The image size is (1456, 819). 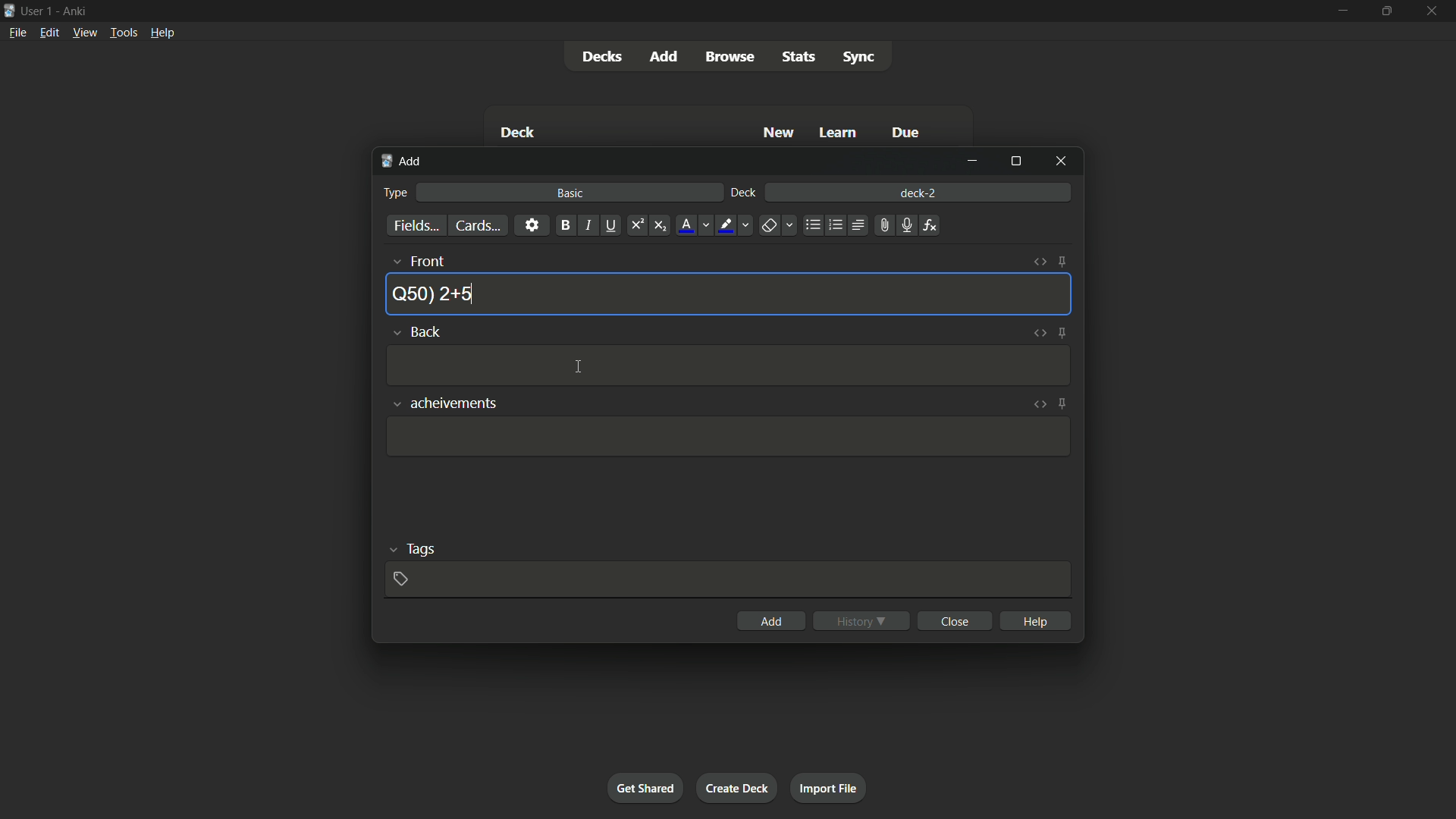 I want to click on minimize, so click(x=972, y=162).